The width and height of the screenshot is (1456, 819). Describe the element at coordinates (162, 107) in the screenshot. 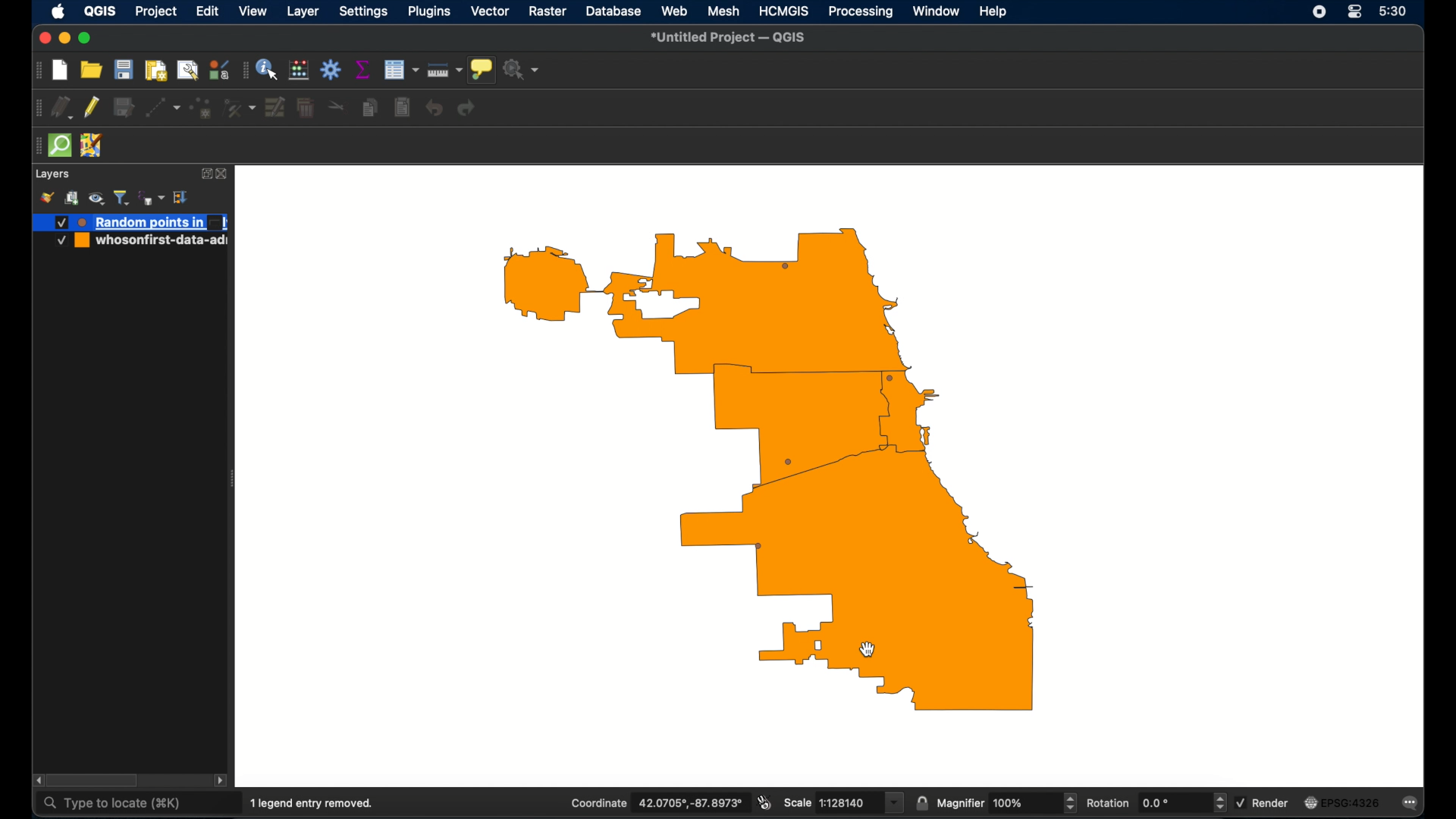

I see `digitized ithsegment` at that location.